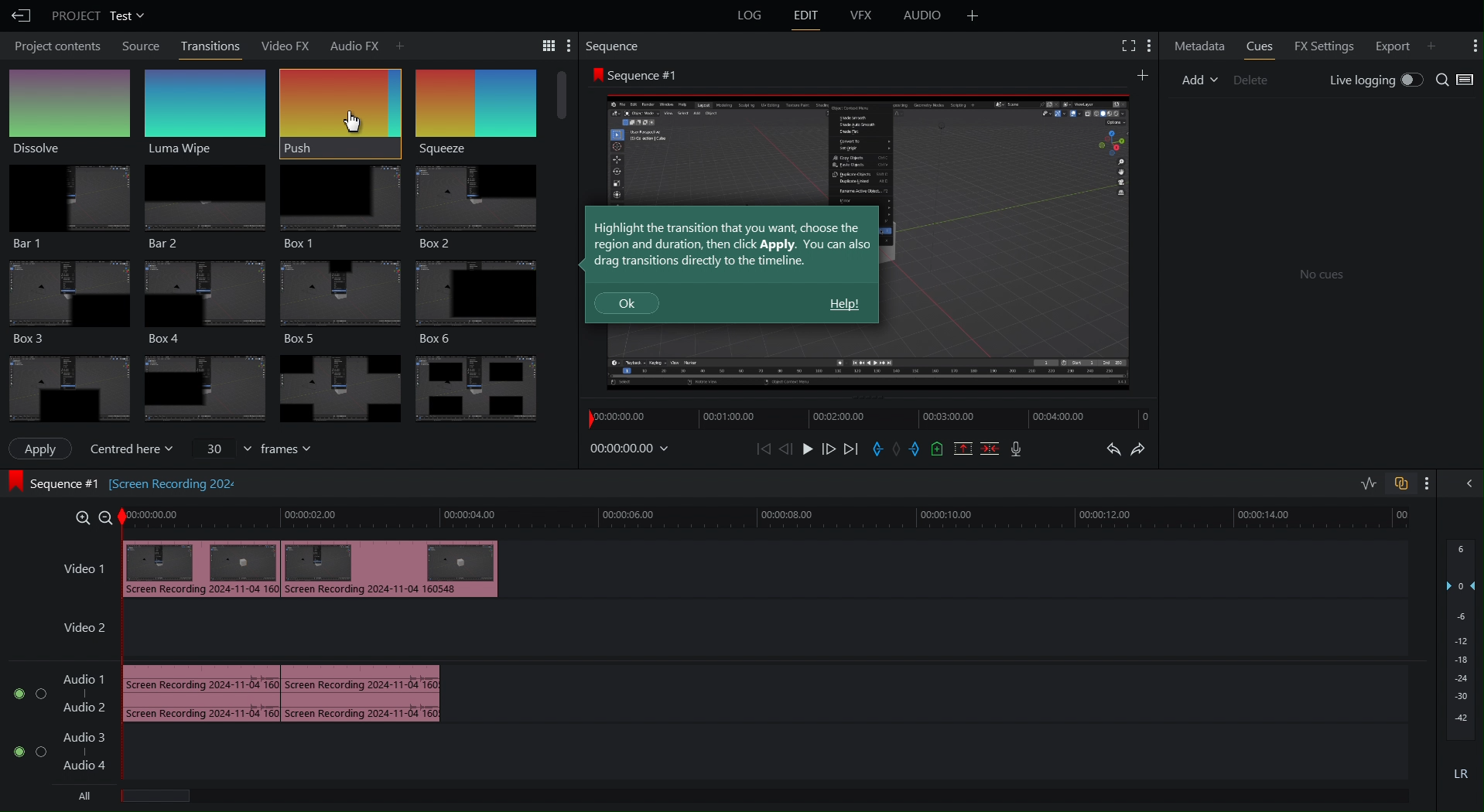  What do you see at coordinates (1251, 79) in the screenshot?
I see `Delete` at bounding box center [1251, 79].